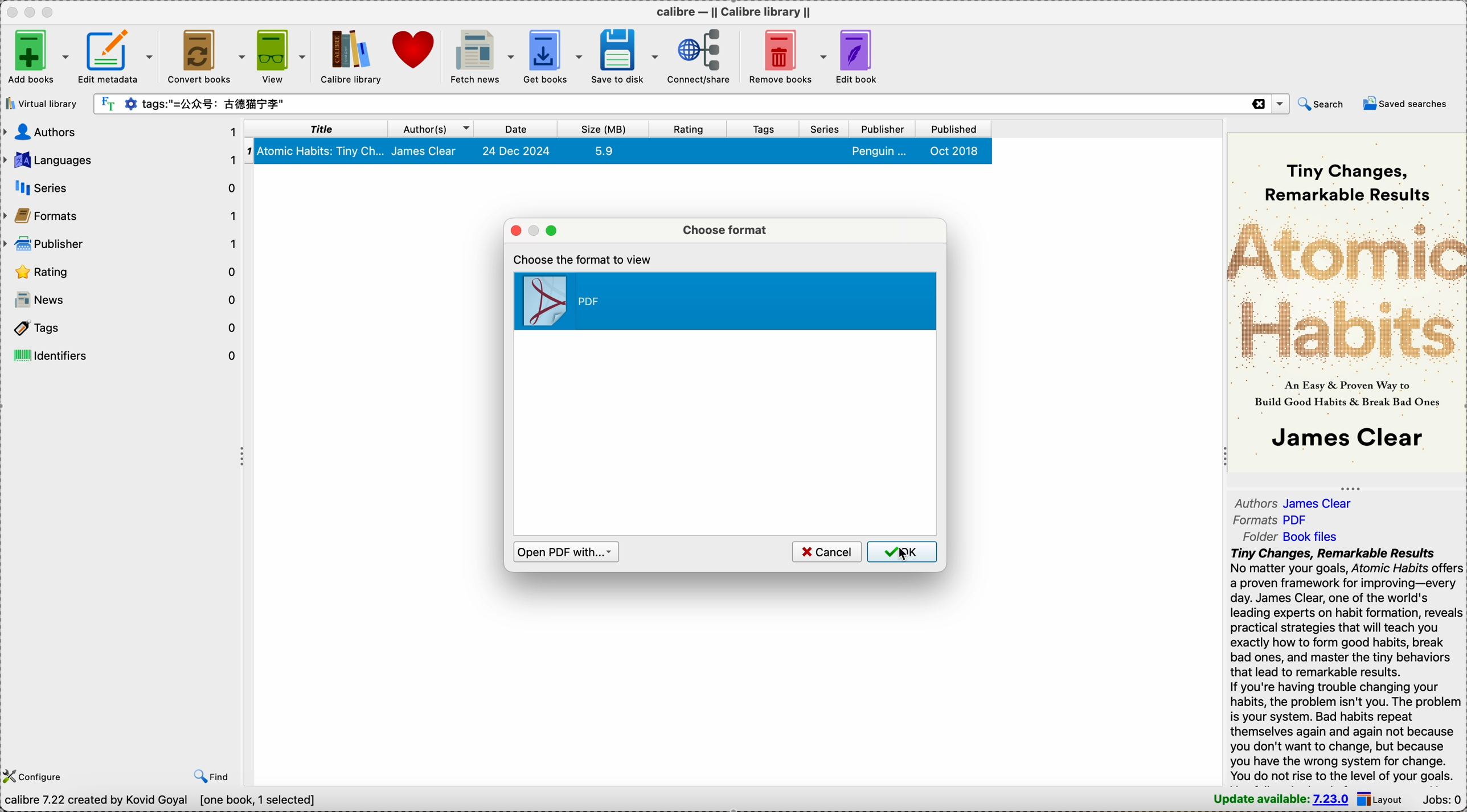  What do you see at coordinates (1293, 536) in the screenshot?
I see `folder` at bounding box center [1293, 536].